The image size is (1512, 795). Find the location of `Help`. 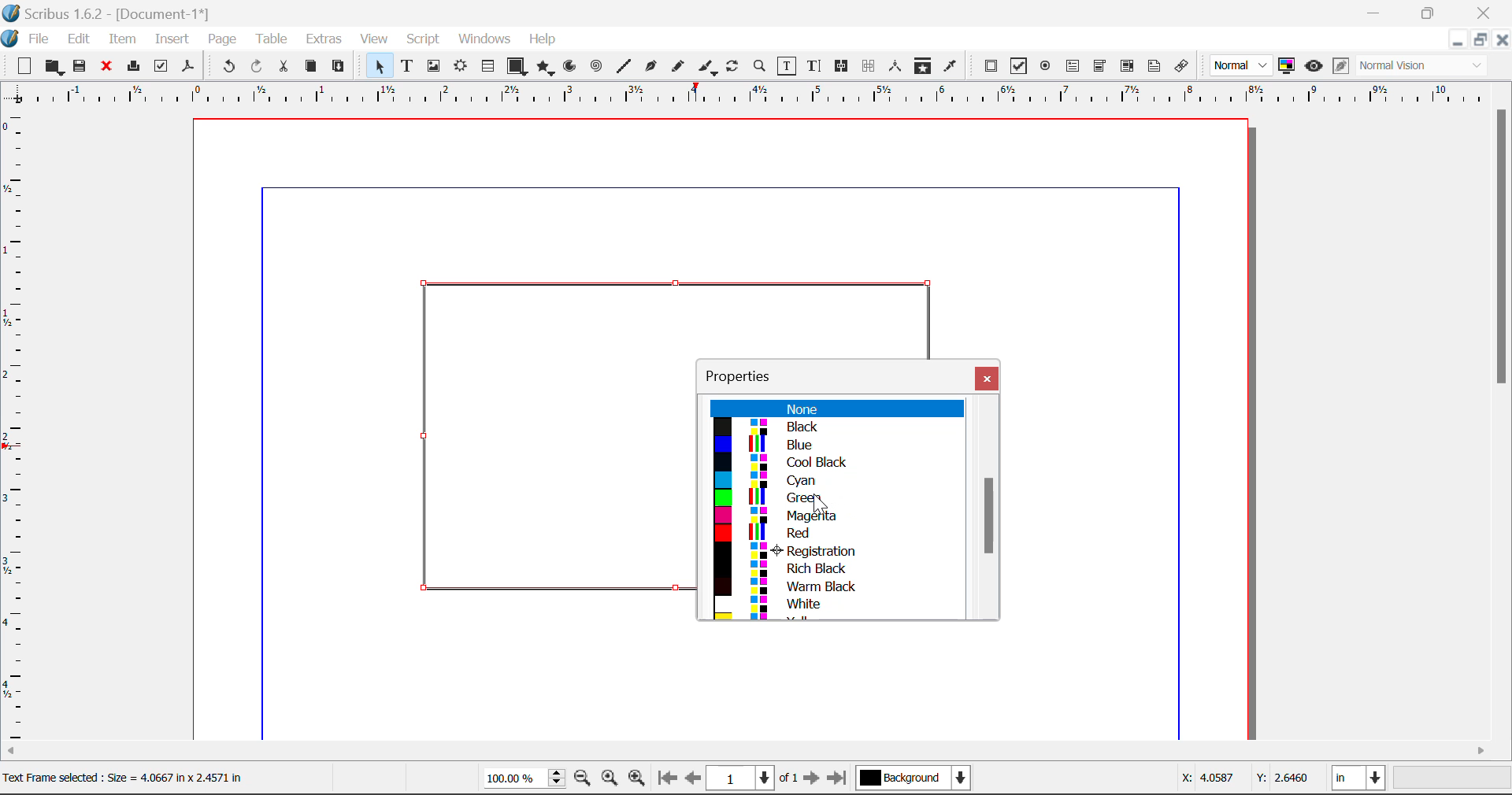

Help is located at coordinates (543, 39).